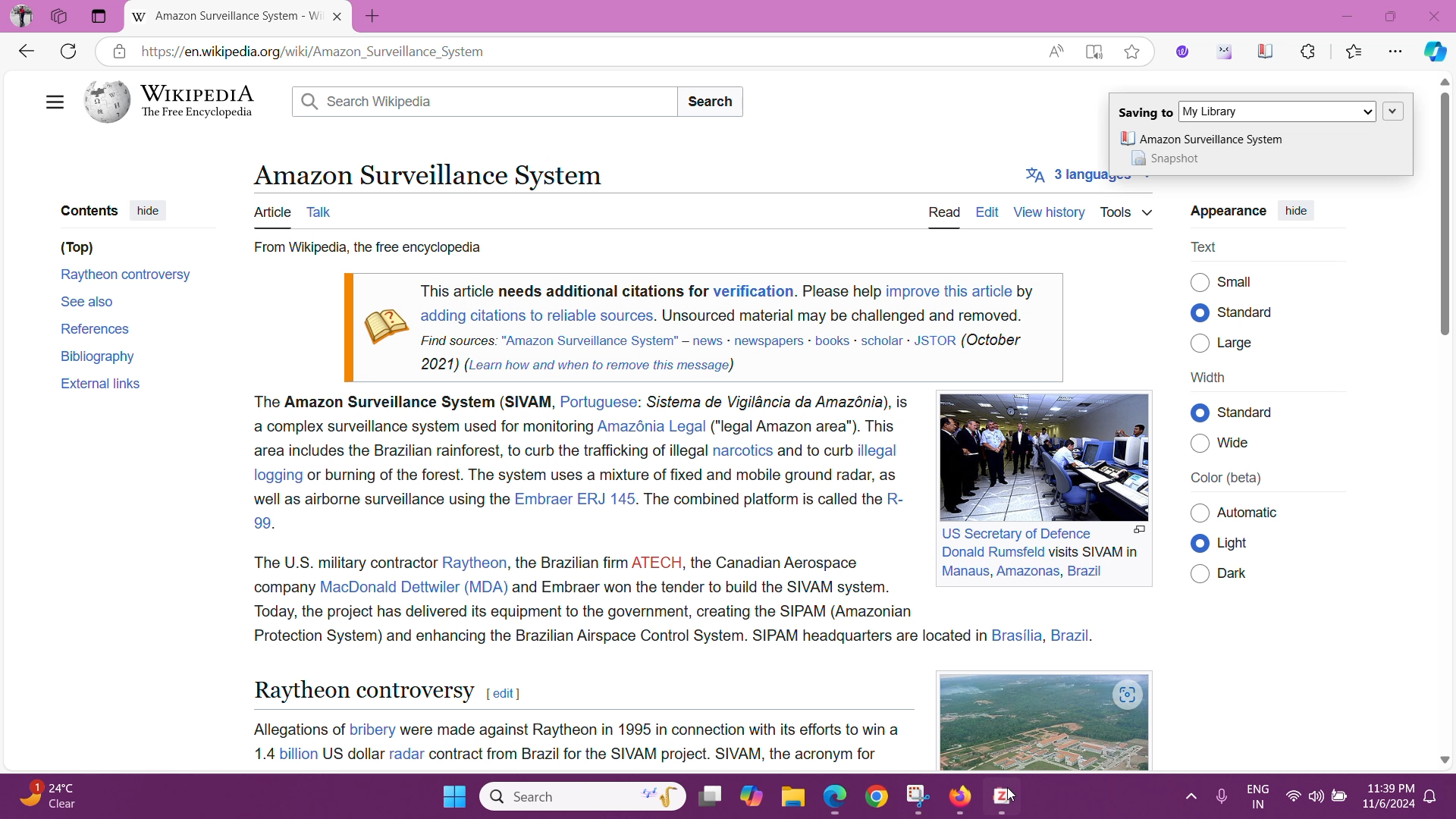 Image resolution: width=1456 pixels, height=819 pixels. What do you see at coordinates (341, 561) in the screenshot?
I see `The U.S. military contractor` at bounding box center [341, 561].